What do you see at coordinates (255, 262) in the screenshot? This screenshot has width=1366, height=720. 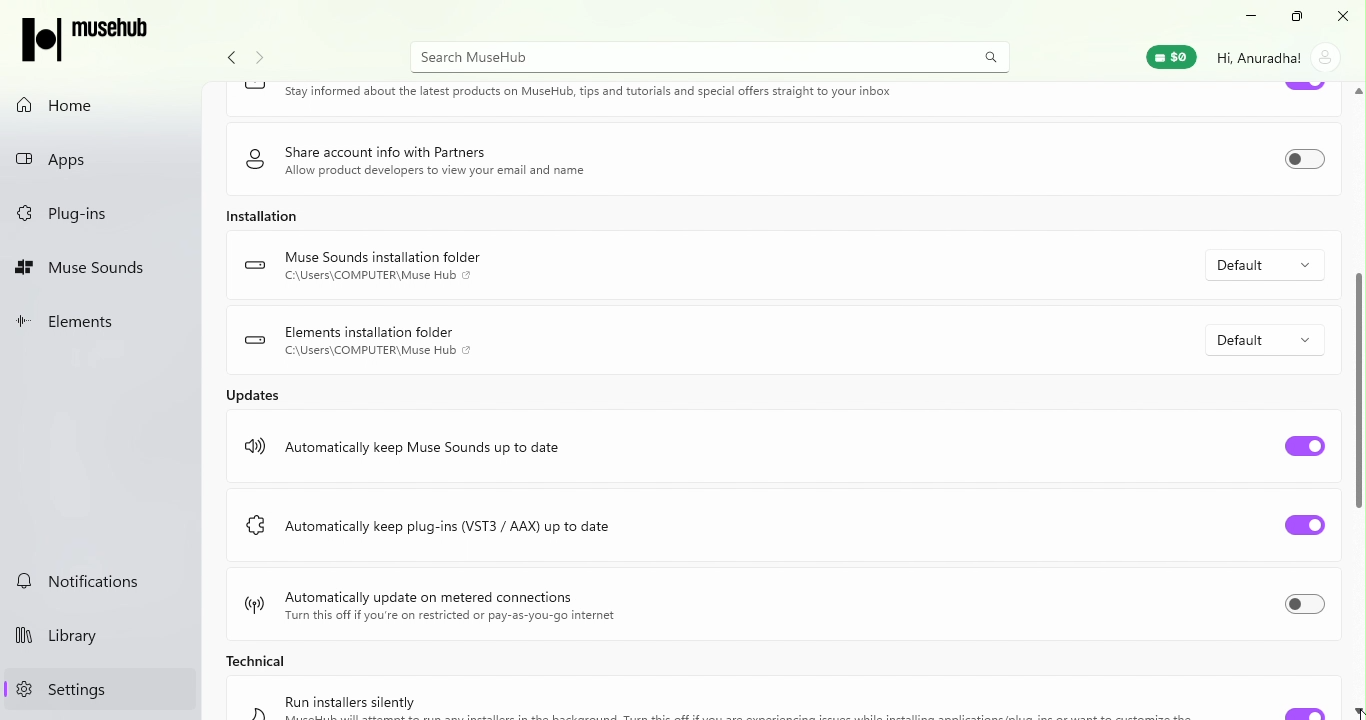 I see `logo ` at bounding box center [255, 262].